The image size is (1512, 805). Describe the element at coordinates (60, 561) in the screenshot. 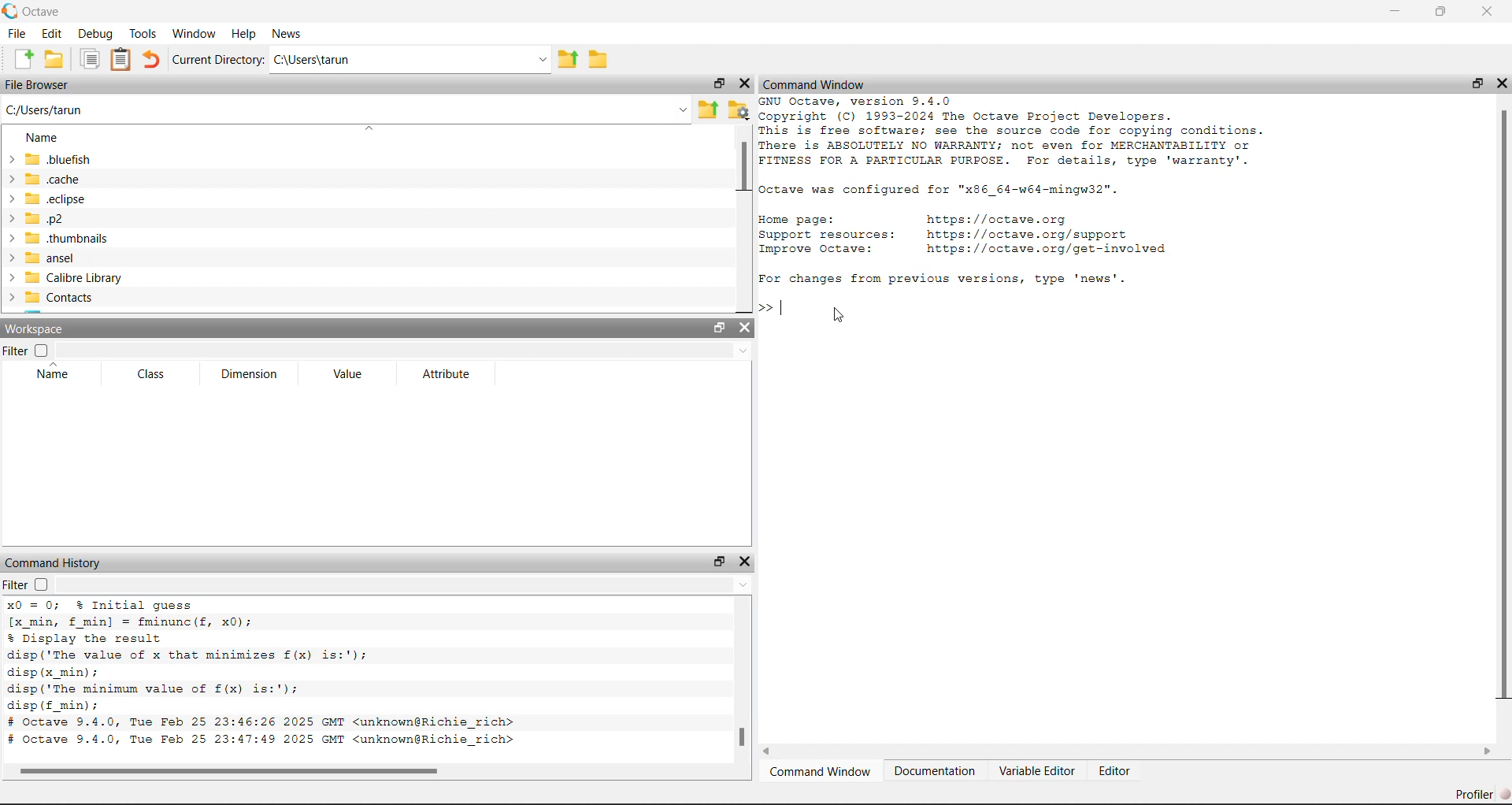

I see `Command History` at that location.